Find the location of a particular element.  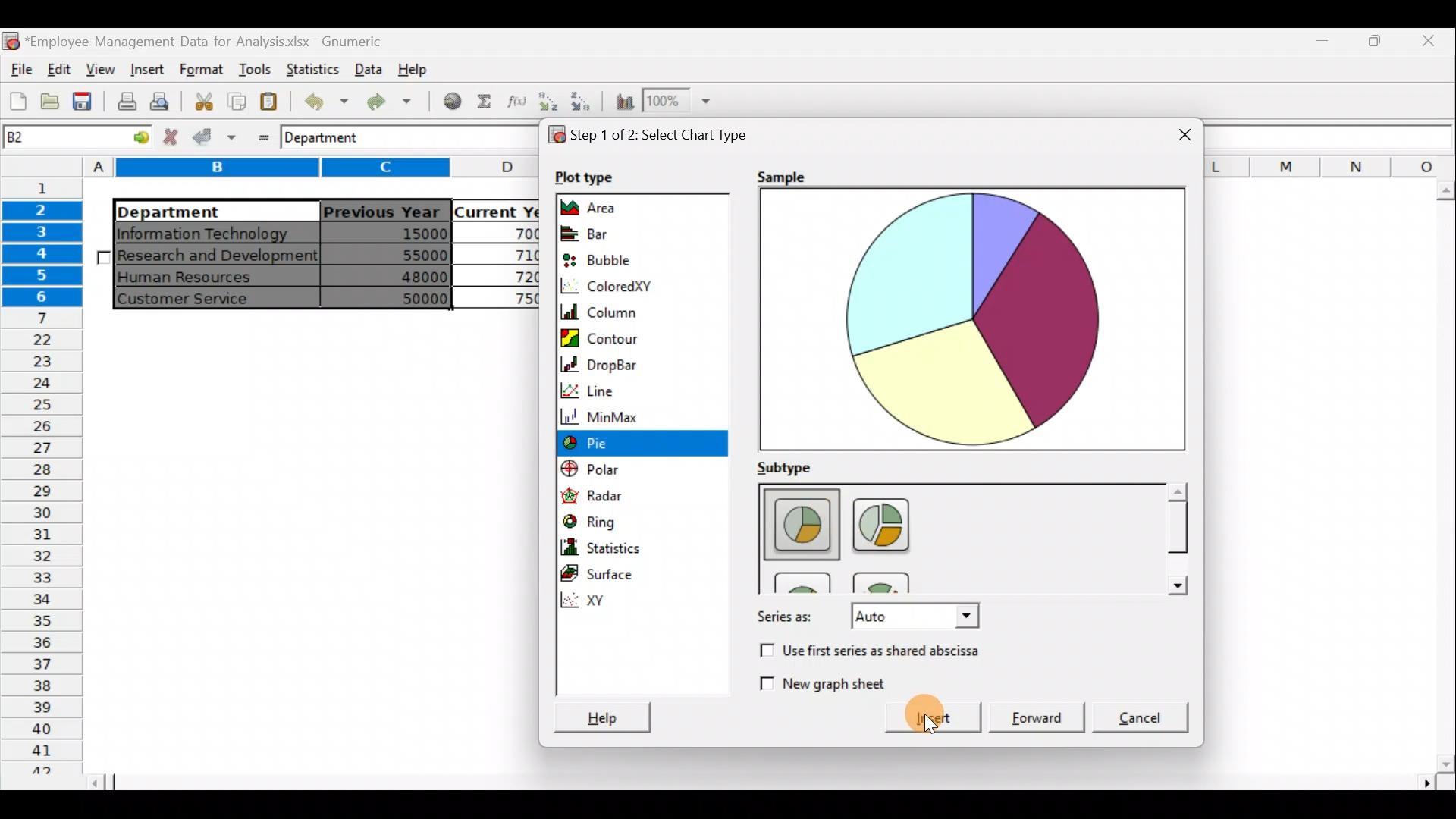

Help is located at coordinates (416, 73).